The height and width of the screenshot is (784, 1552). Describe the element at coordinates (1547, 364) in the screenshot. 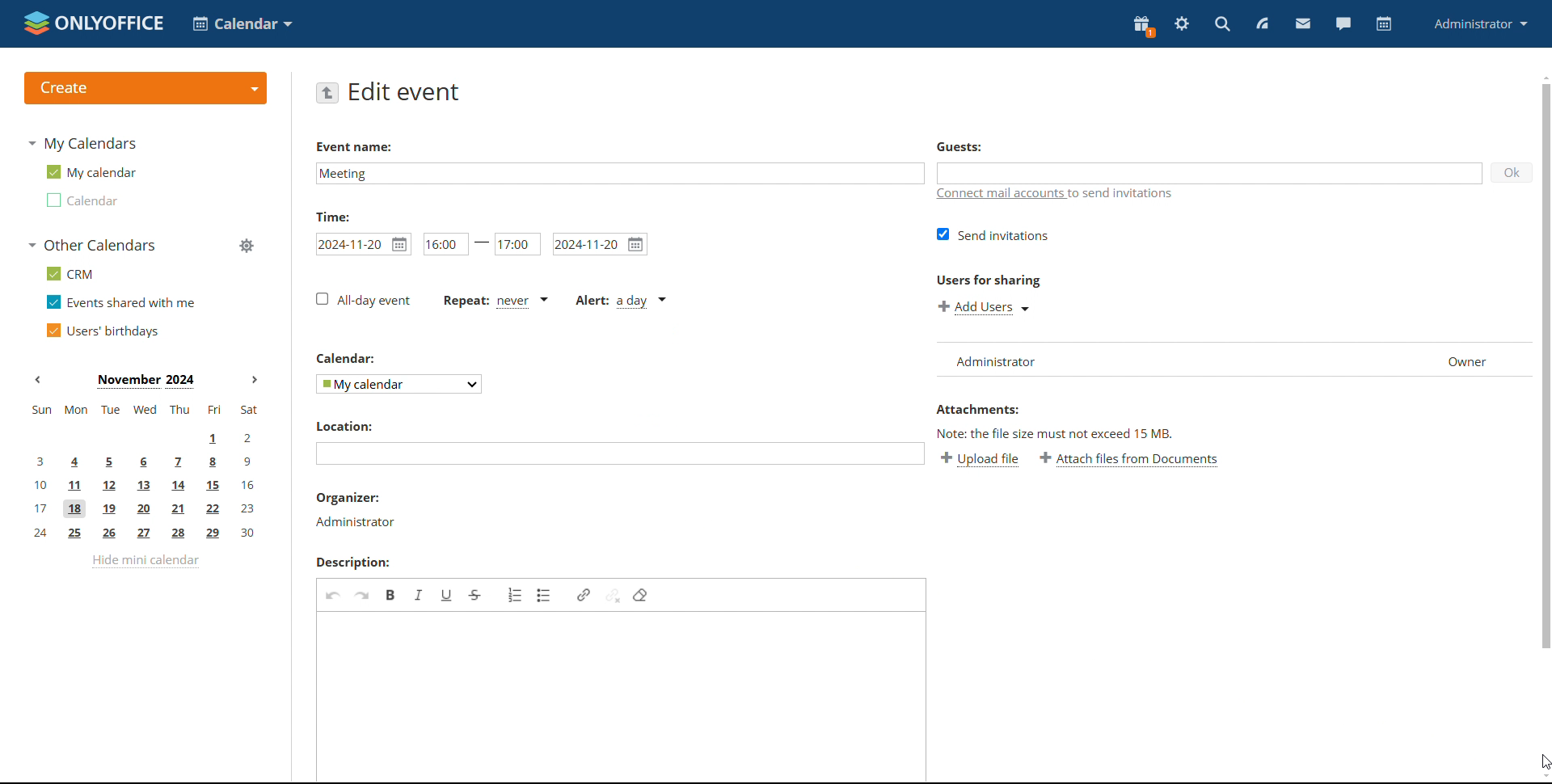

I see `scrollbar` at that location.